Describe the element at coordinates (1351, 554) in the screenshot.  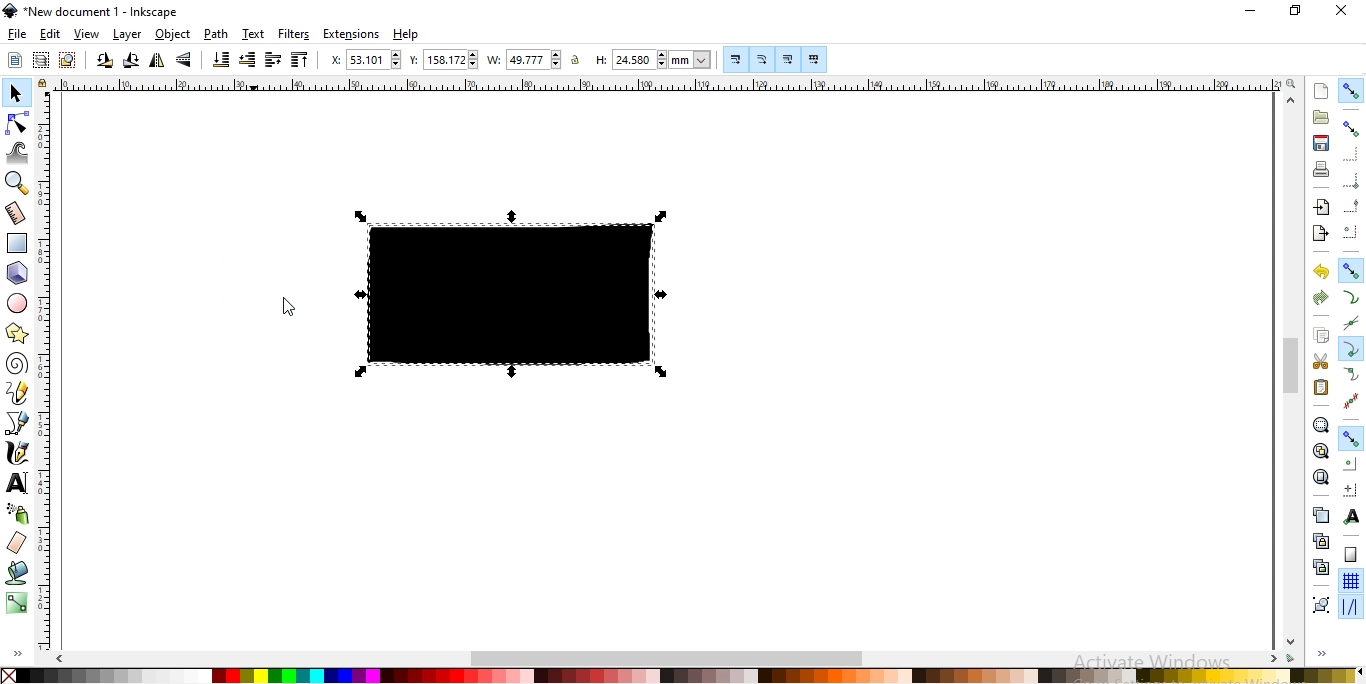
I see `snap to page border` at that location.